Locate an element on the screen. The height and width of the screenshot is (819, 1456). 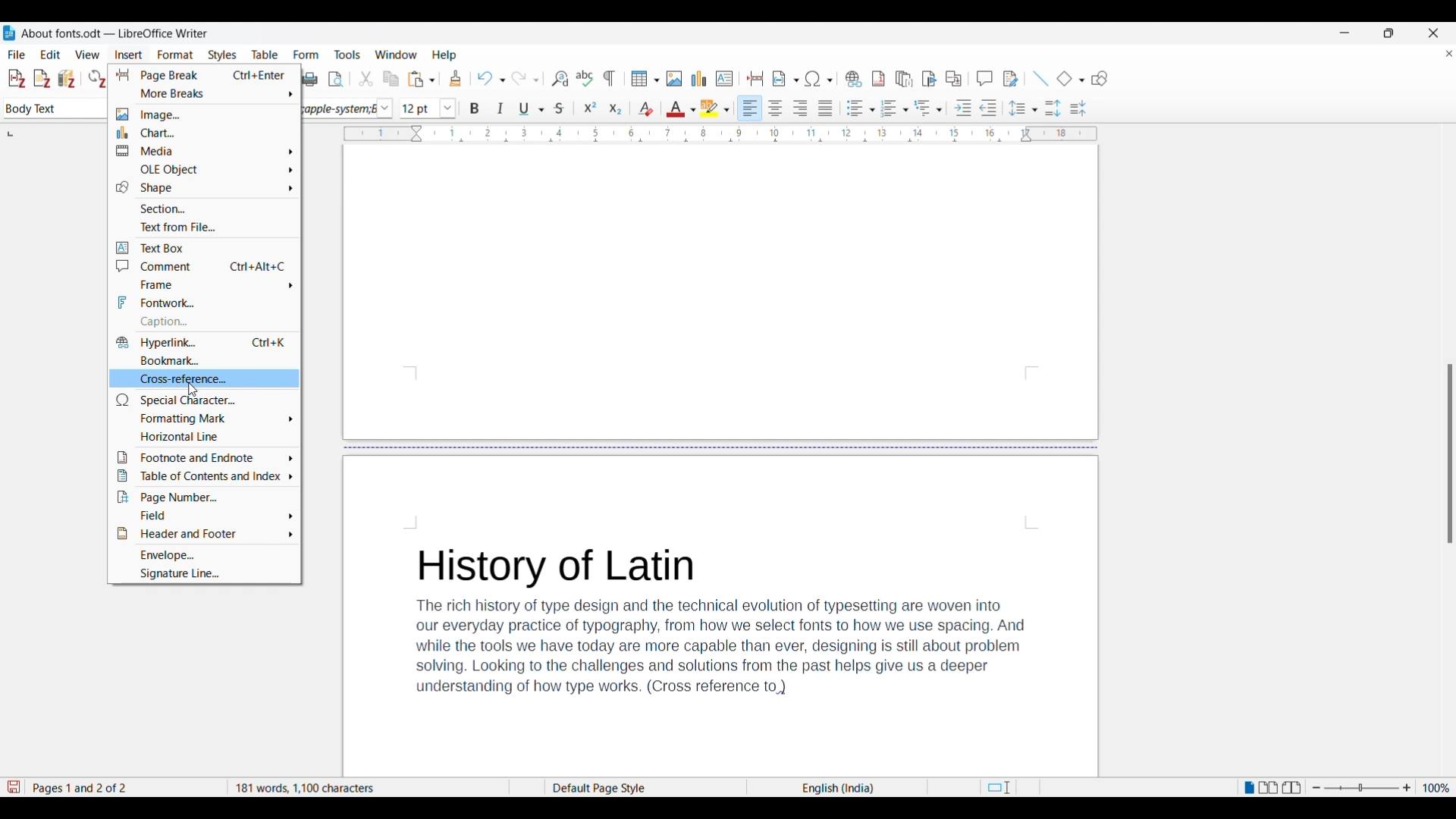
Page break in document is located at coordinates (722, 447).